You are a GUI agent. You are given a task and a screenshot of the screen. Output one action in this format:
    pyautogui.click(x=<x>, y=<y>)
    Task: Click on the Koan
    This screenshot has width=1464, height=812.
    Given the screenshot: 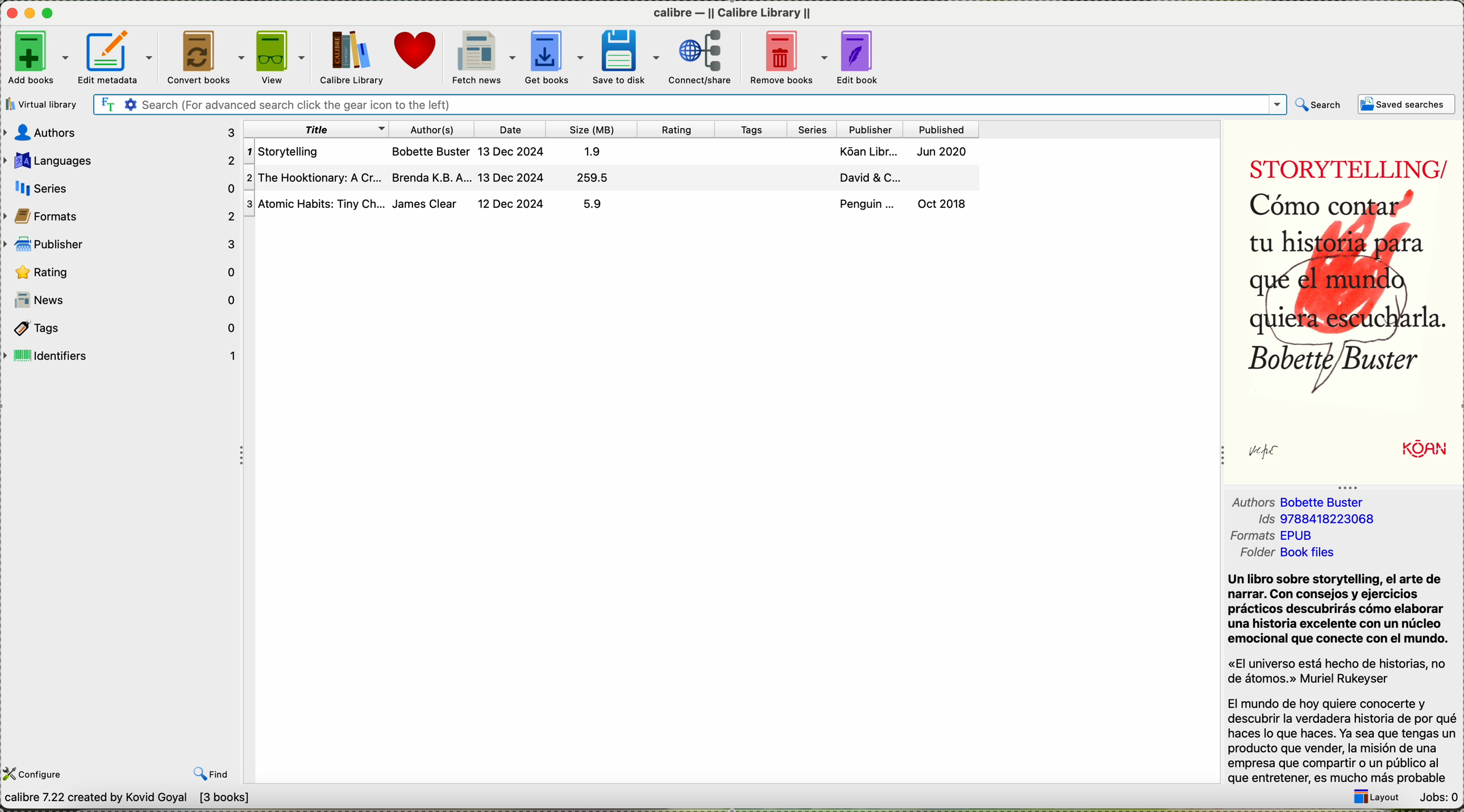 What is the action you would take?
    pyautogui.click(x=1404, y=450)
    